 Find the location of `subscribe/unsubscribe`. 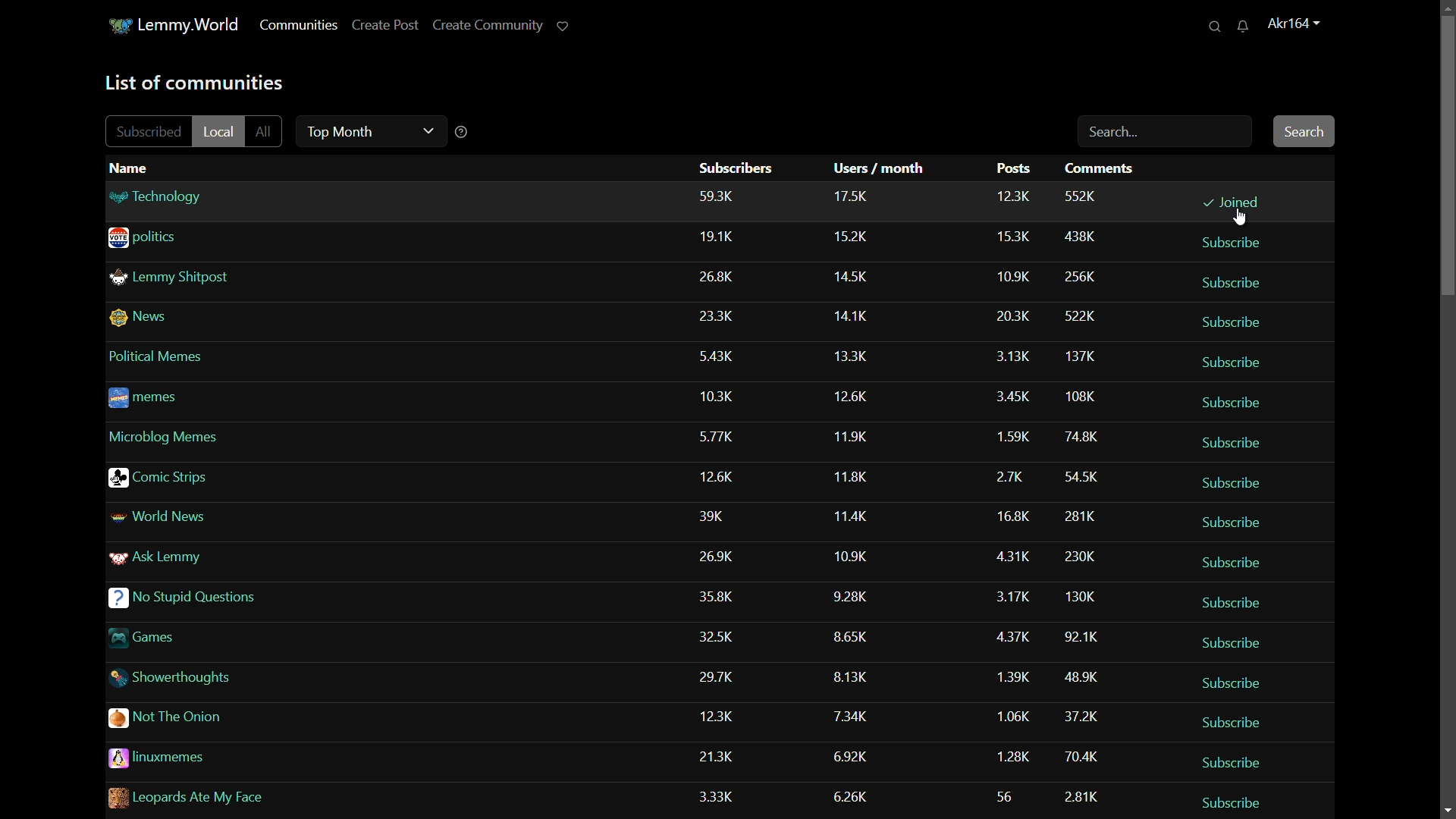

subscribe/unsubscribe is located at coordinates (1233, 281).